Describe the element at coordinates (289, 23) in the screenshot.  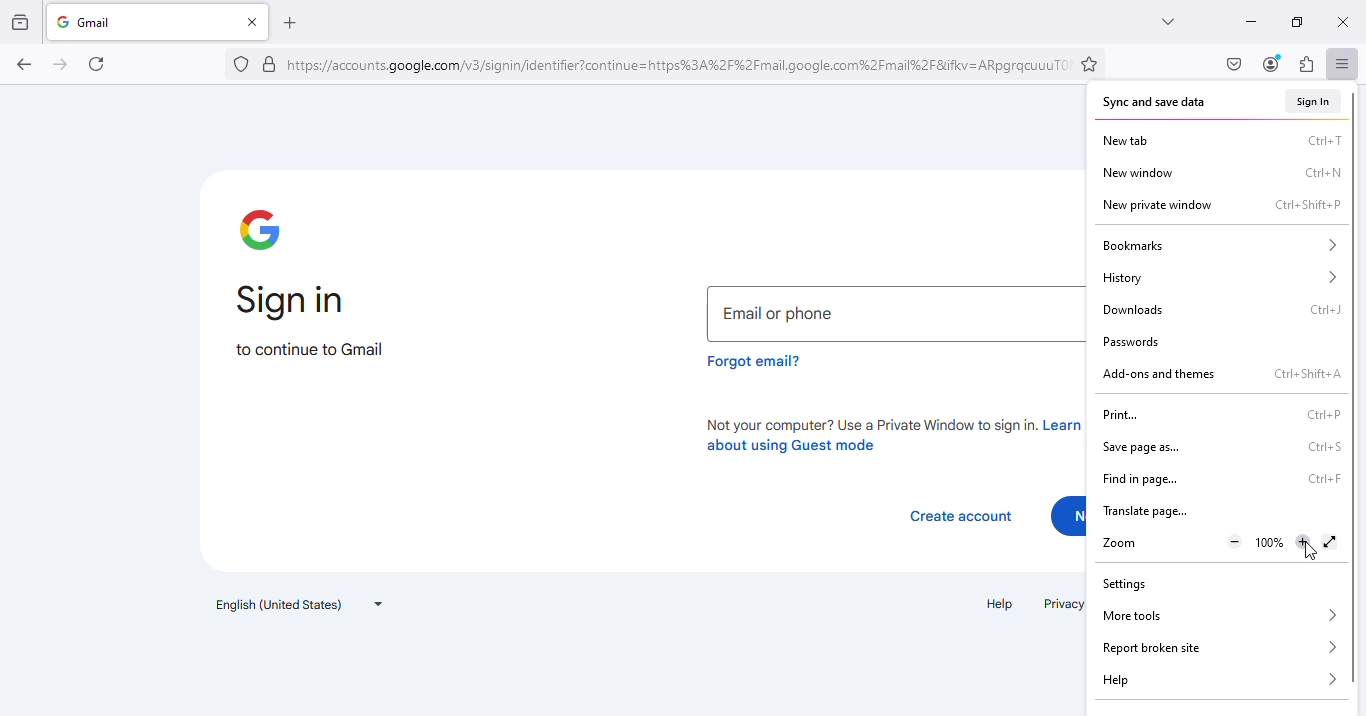
I see `open a new tab` at that location.